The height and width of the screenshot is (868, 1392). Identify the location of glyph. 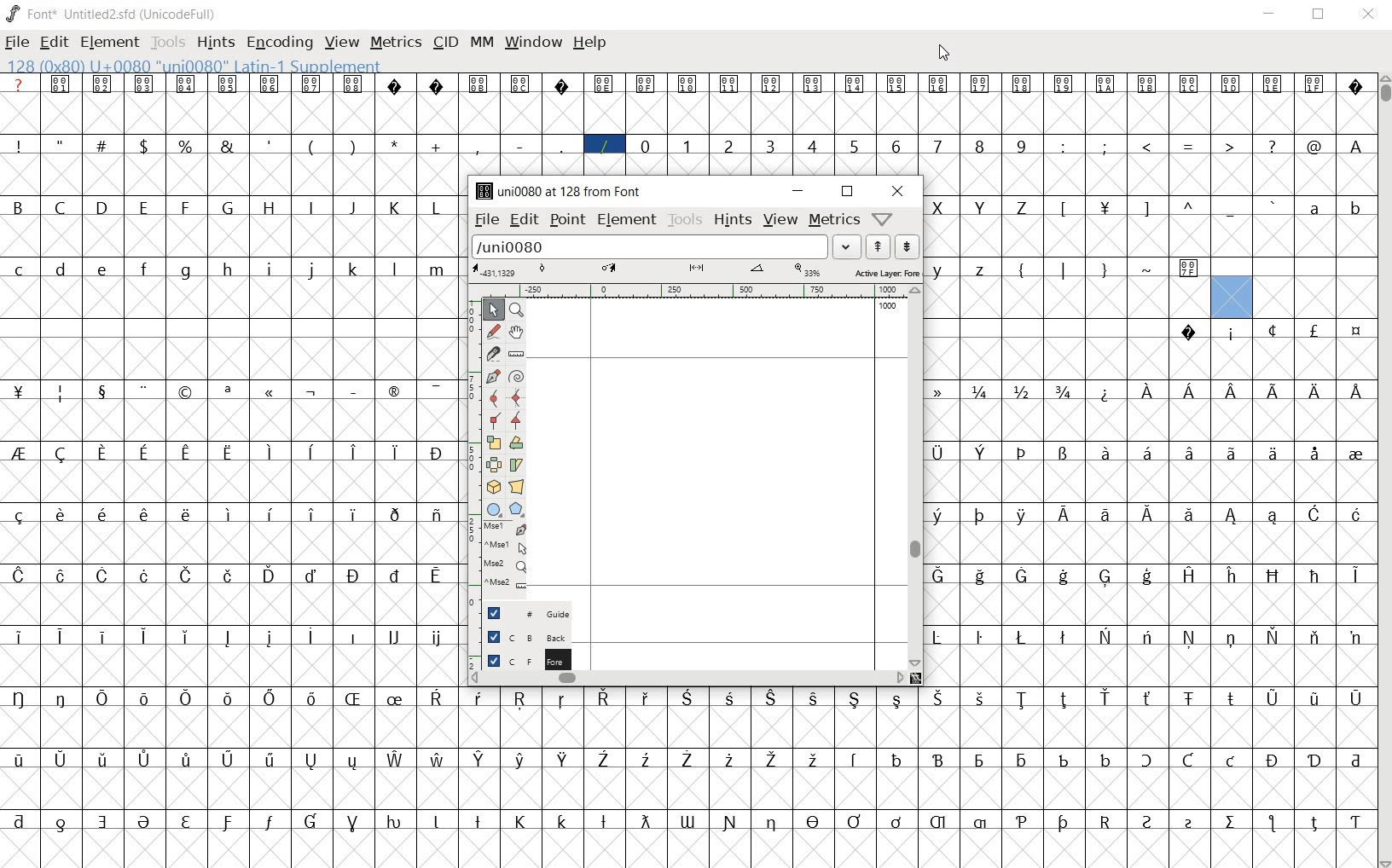
(855, 760).